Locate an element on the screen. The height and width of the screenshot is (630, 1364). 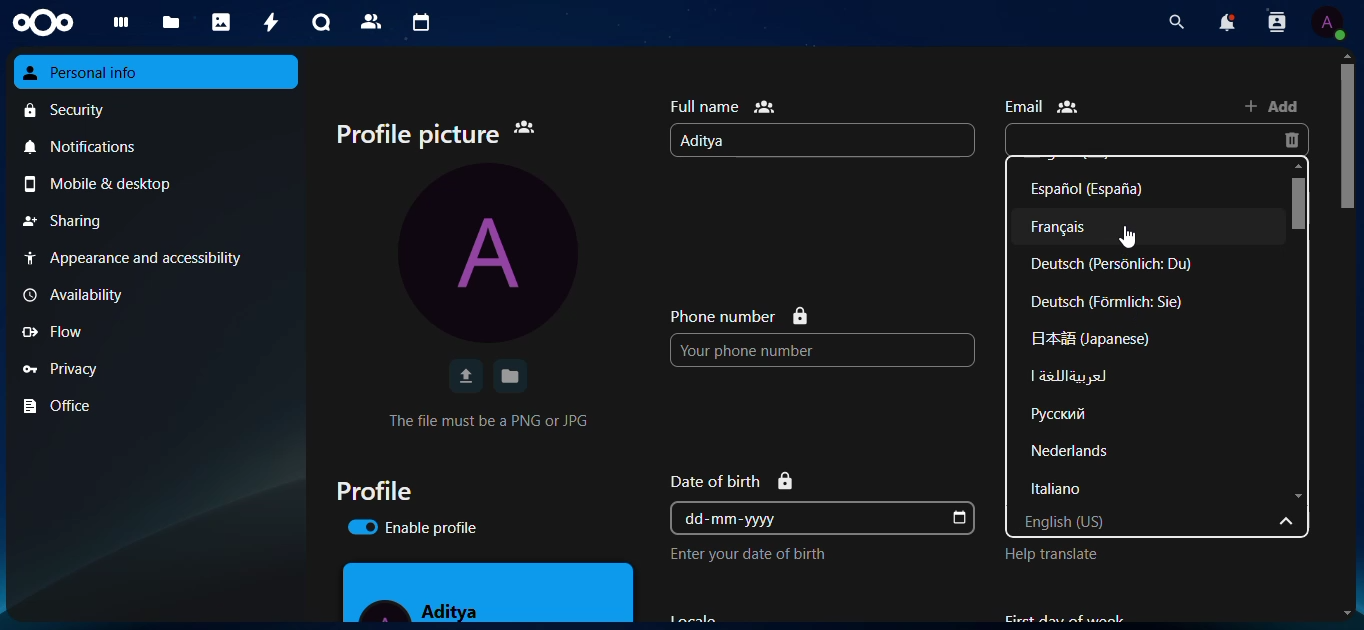
italiano is located at coordinates (1071, 491).